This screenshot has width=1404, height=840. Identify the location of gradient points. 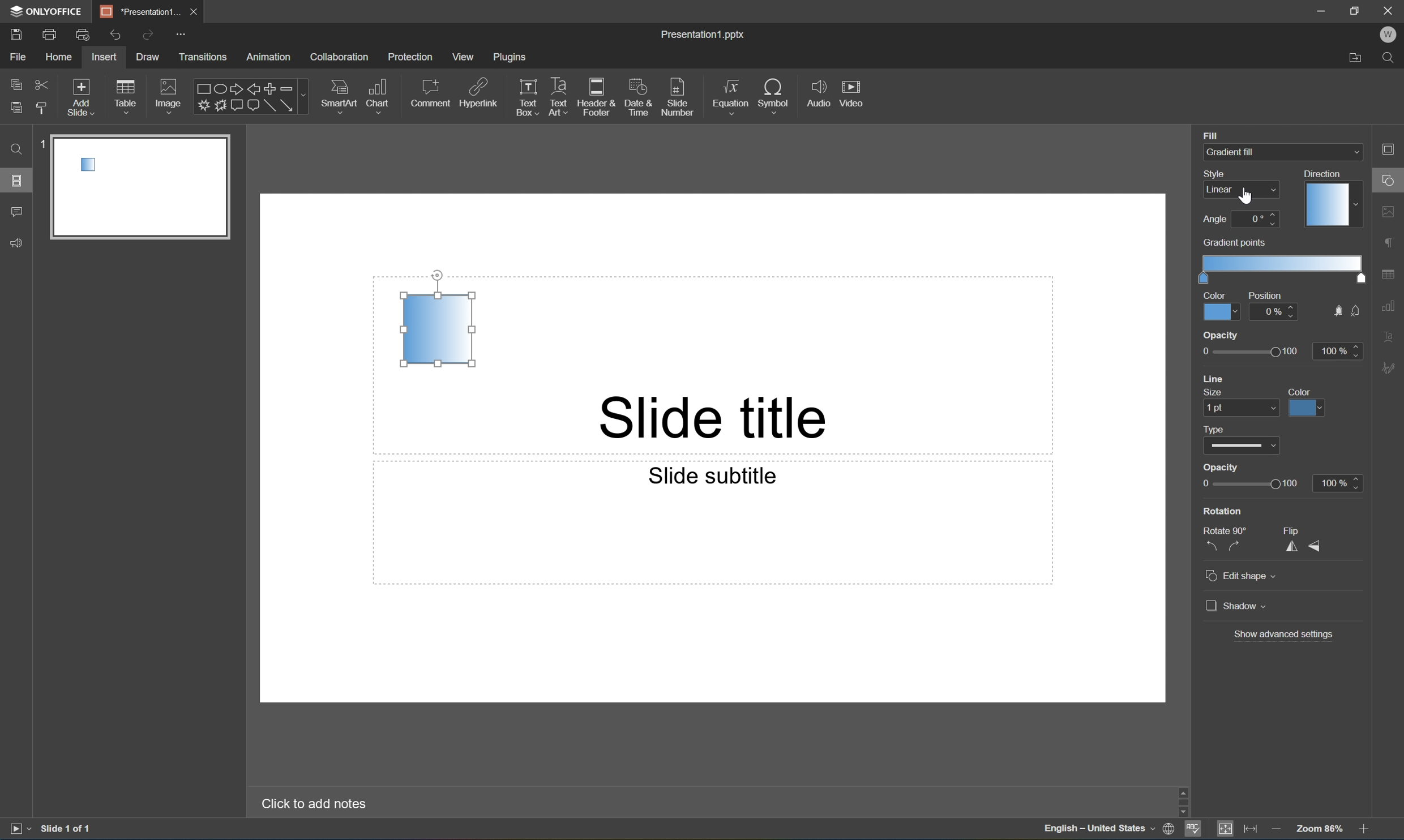
(1282, 261).